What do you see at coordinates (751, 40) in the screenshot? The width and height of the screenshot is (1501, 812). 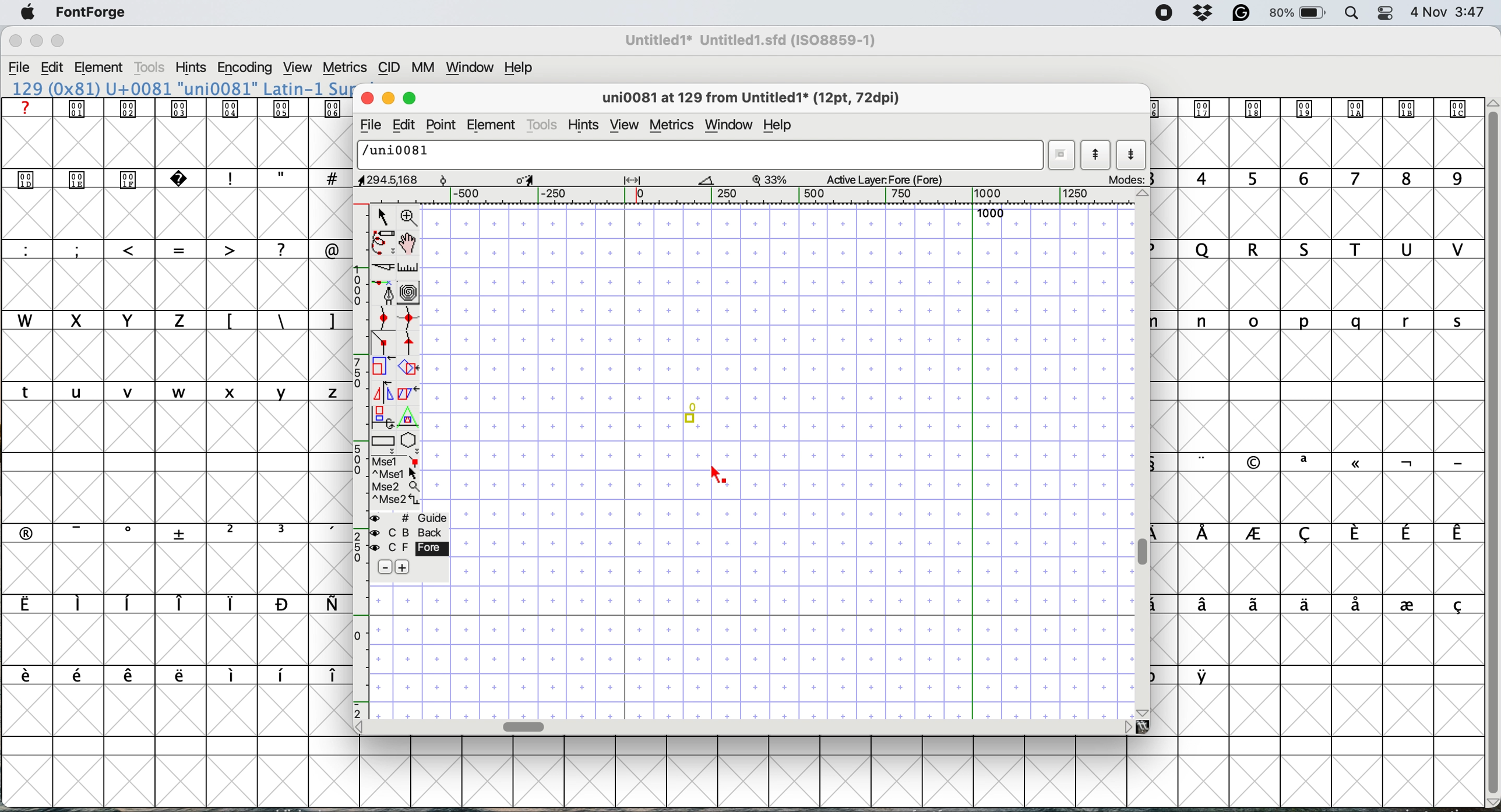 I see `Untitled1* Untitled1.sfd (ISO8859-1)` at bounding box center [751, 40].